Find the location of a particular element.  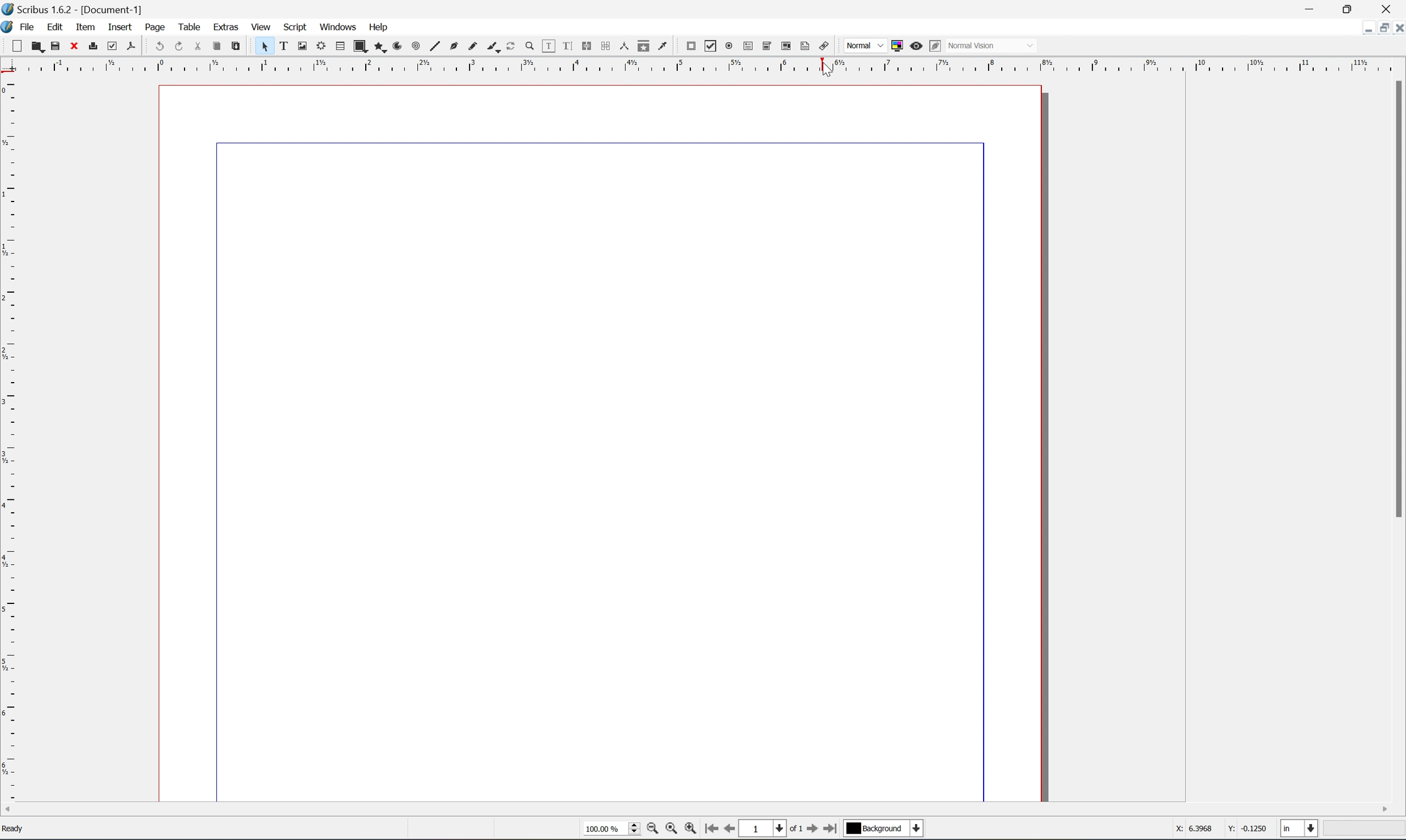

polygon is located at coordinates (378, 46).